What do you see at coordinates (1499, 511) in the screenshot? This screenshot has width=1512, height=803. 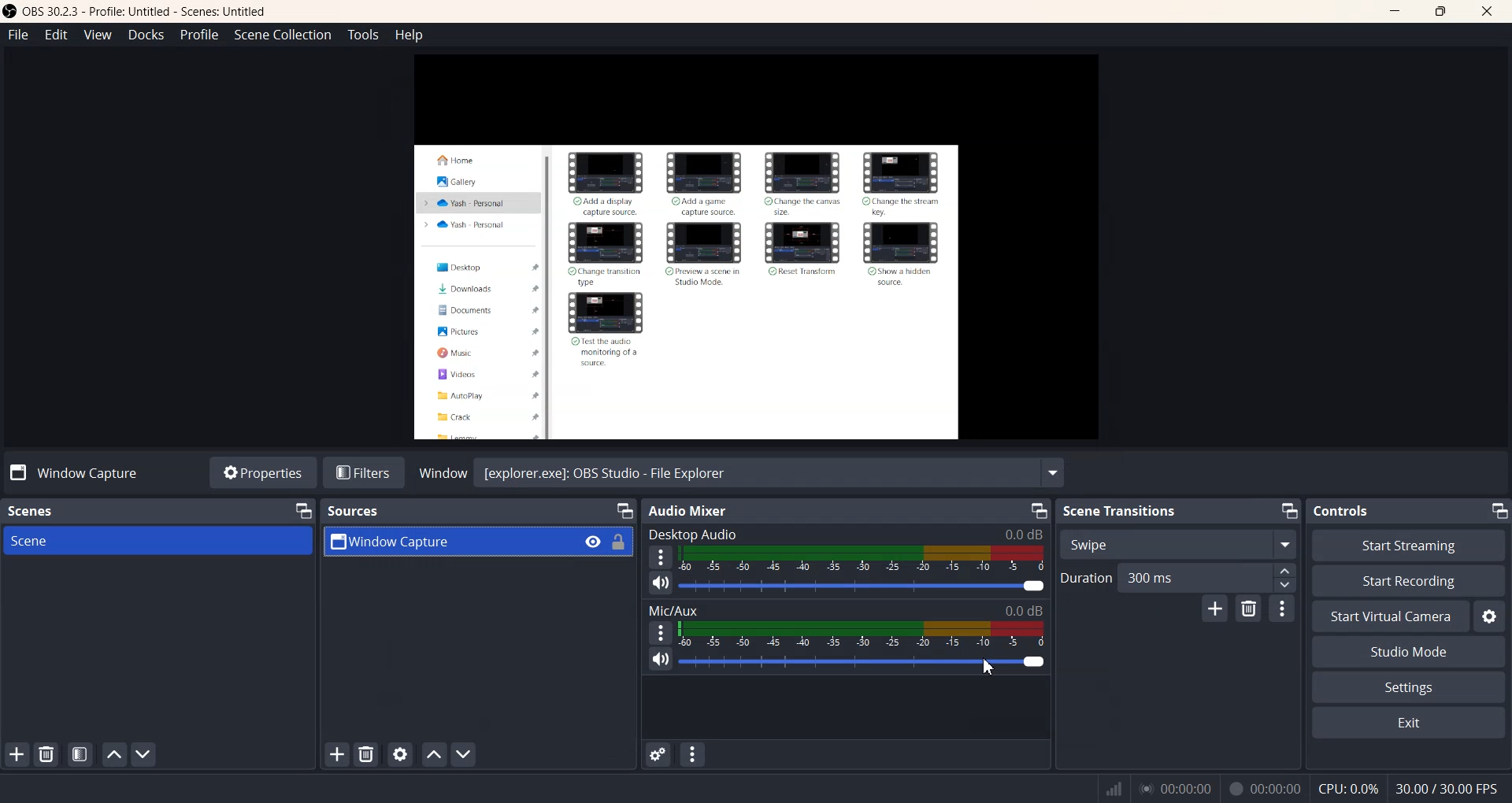 I see `Minimize` at bounding box center [1499, 511].